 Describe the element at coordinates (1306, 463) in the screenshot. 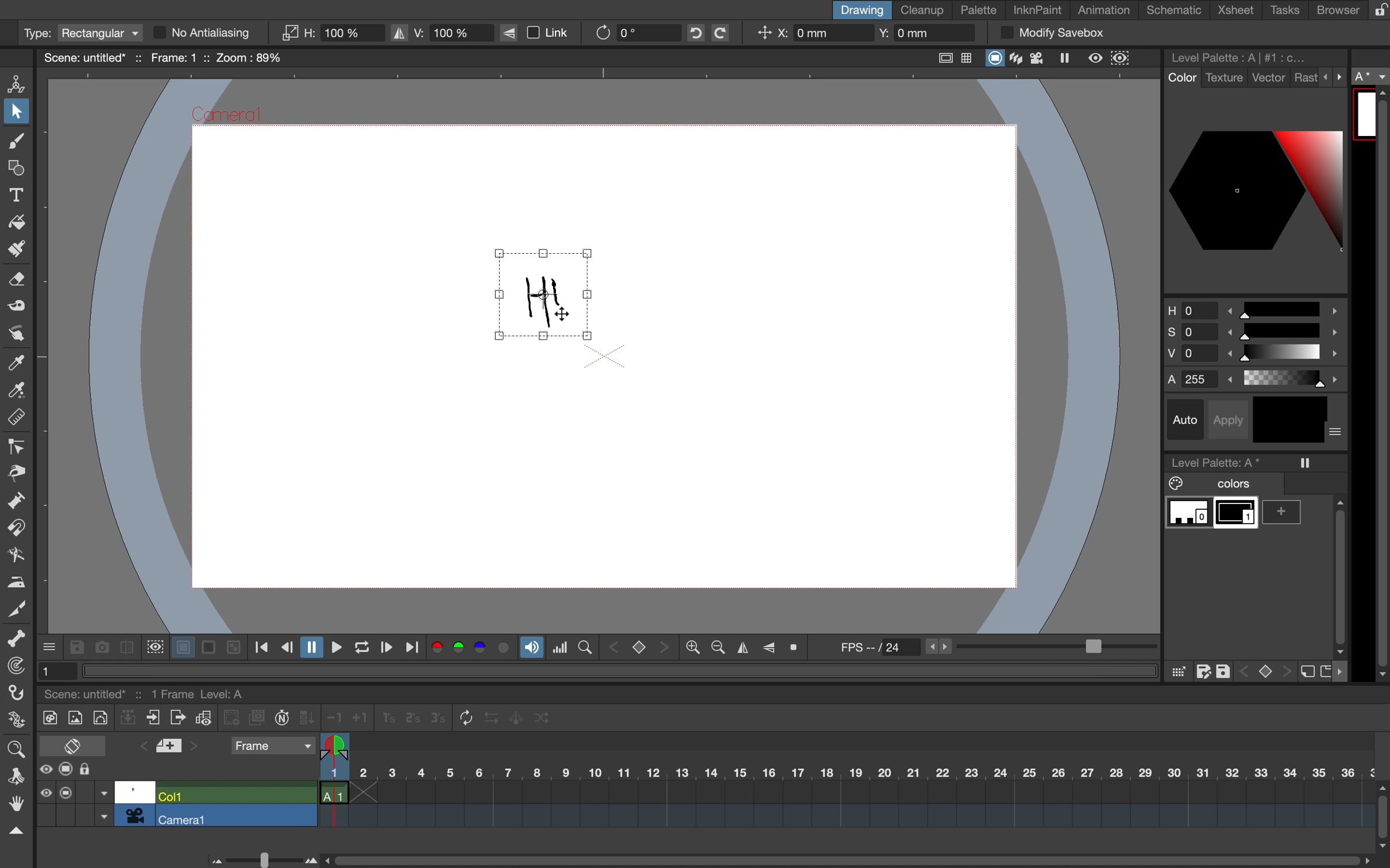

I see `freeze` at that location.